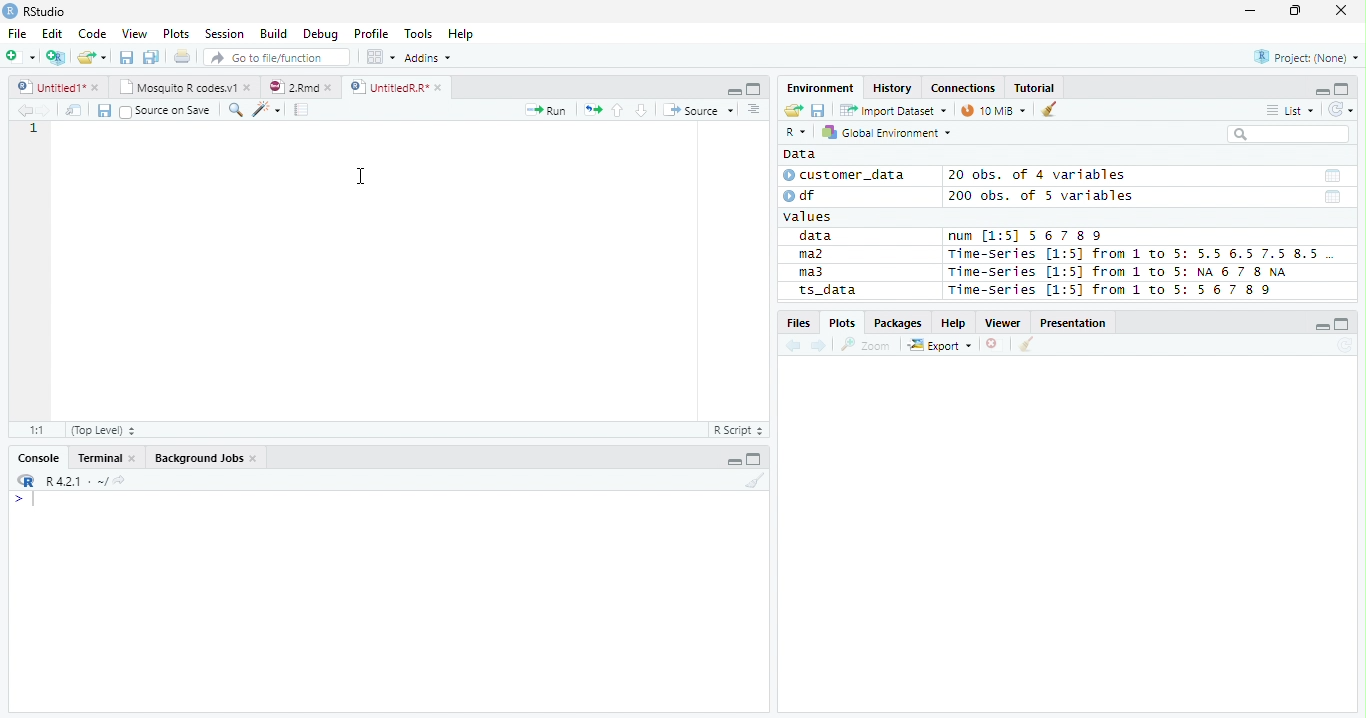 The width and height of the screenshot is (1366, 718). I want to click on Zoom, so click(866, 345).